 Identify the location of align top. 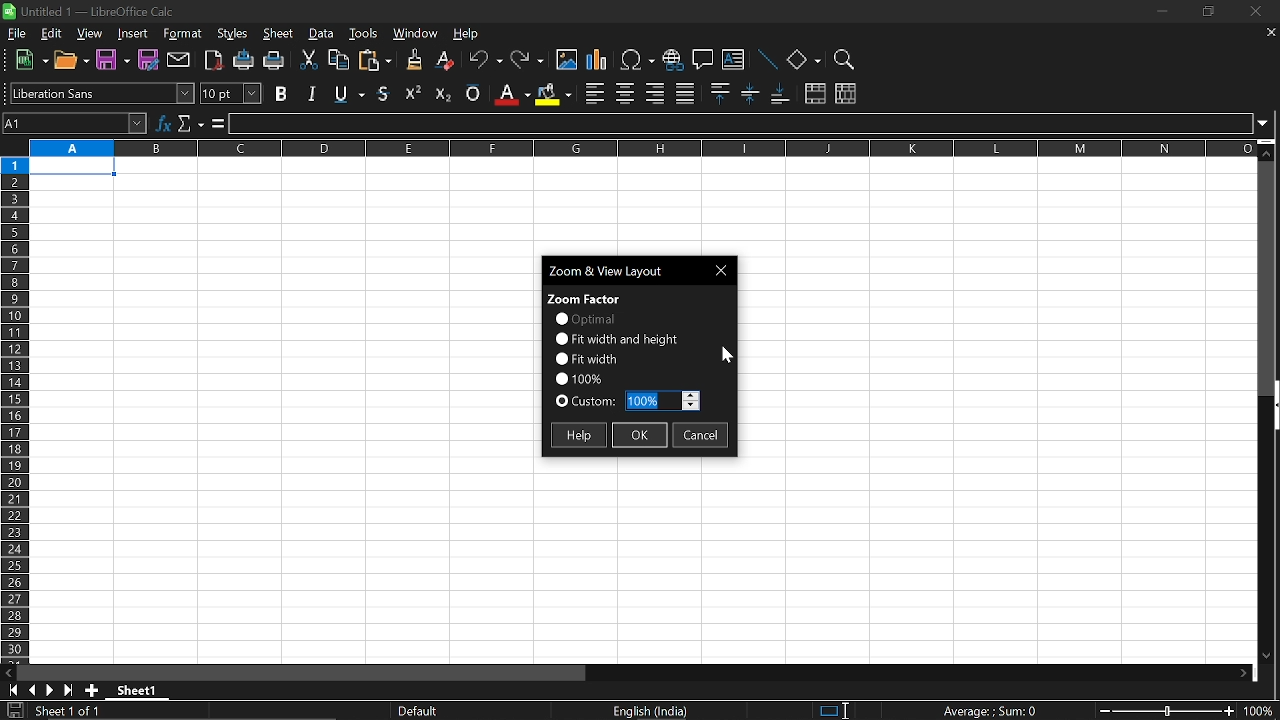
(718, 93).